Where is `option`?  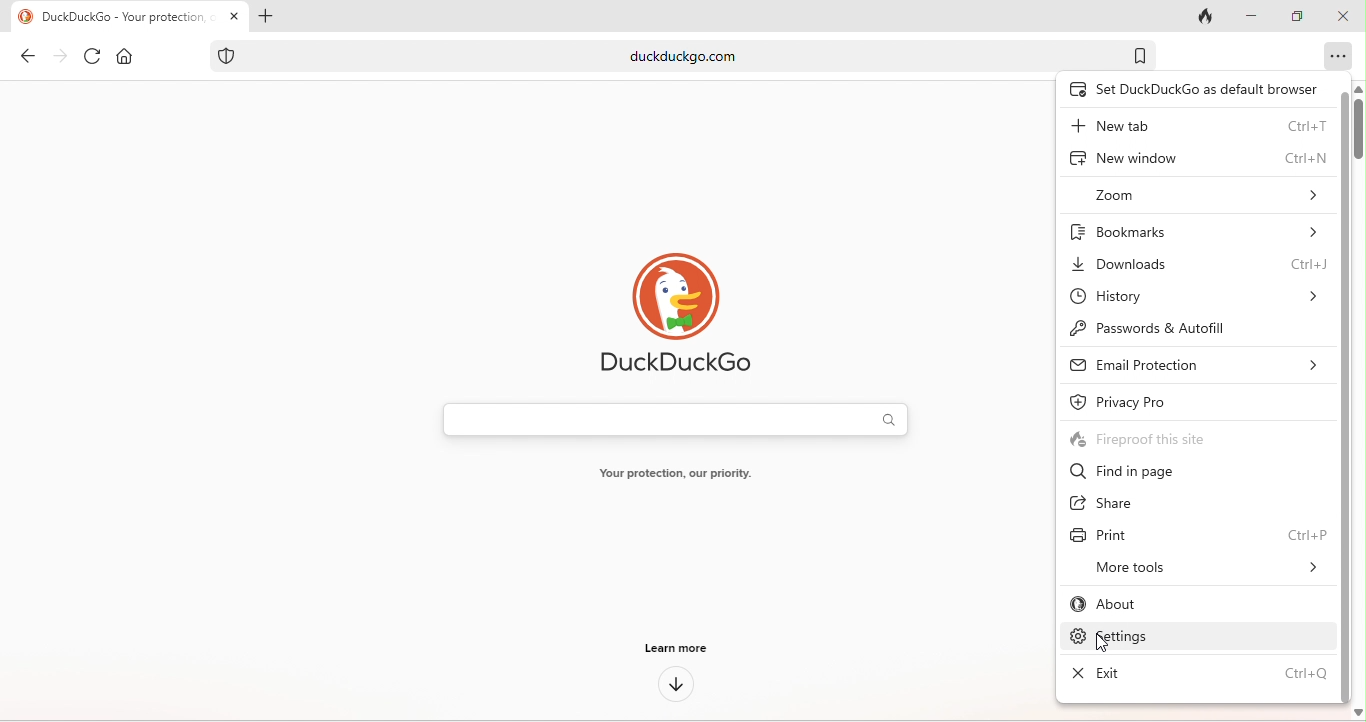
option is located at coordinates (1343, 55).